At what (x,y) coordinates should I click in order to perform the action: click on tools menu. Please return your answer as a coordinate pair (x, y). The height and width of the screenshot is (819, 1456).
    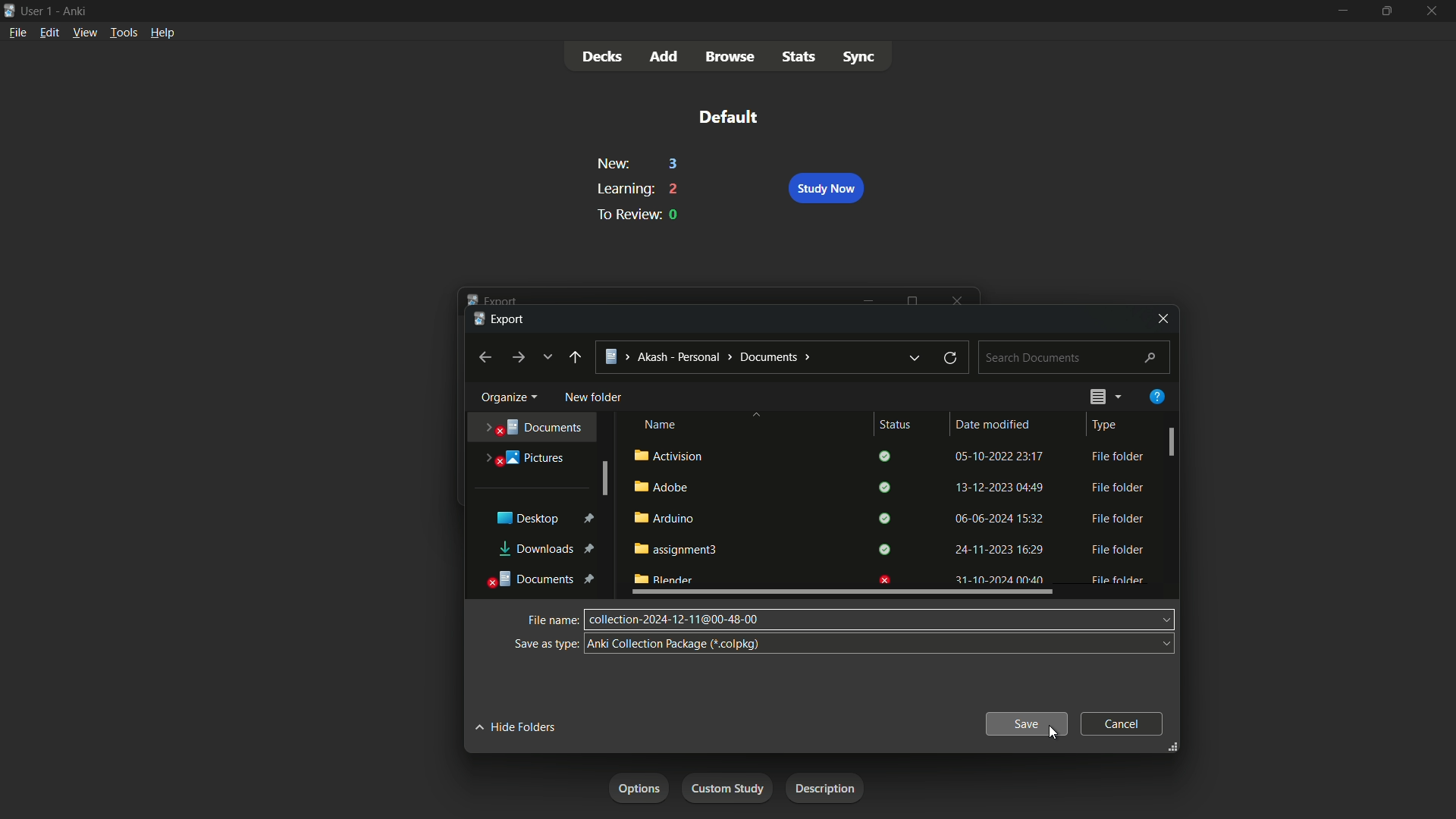
    Looking at the image, I should click on (122, 33).